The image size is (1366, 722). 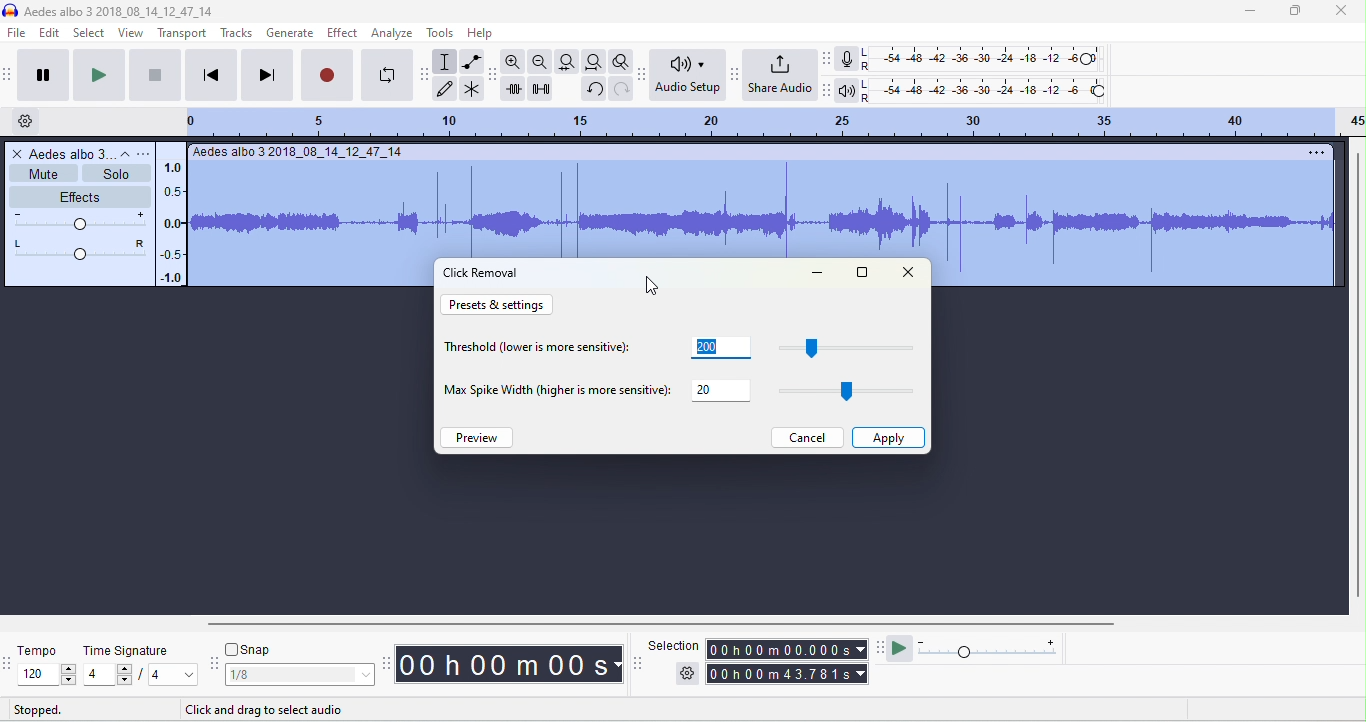 What do you see at coordinates (79, 196) in the screenshot?
I see `effects` at bounding box center [79, 196].